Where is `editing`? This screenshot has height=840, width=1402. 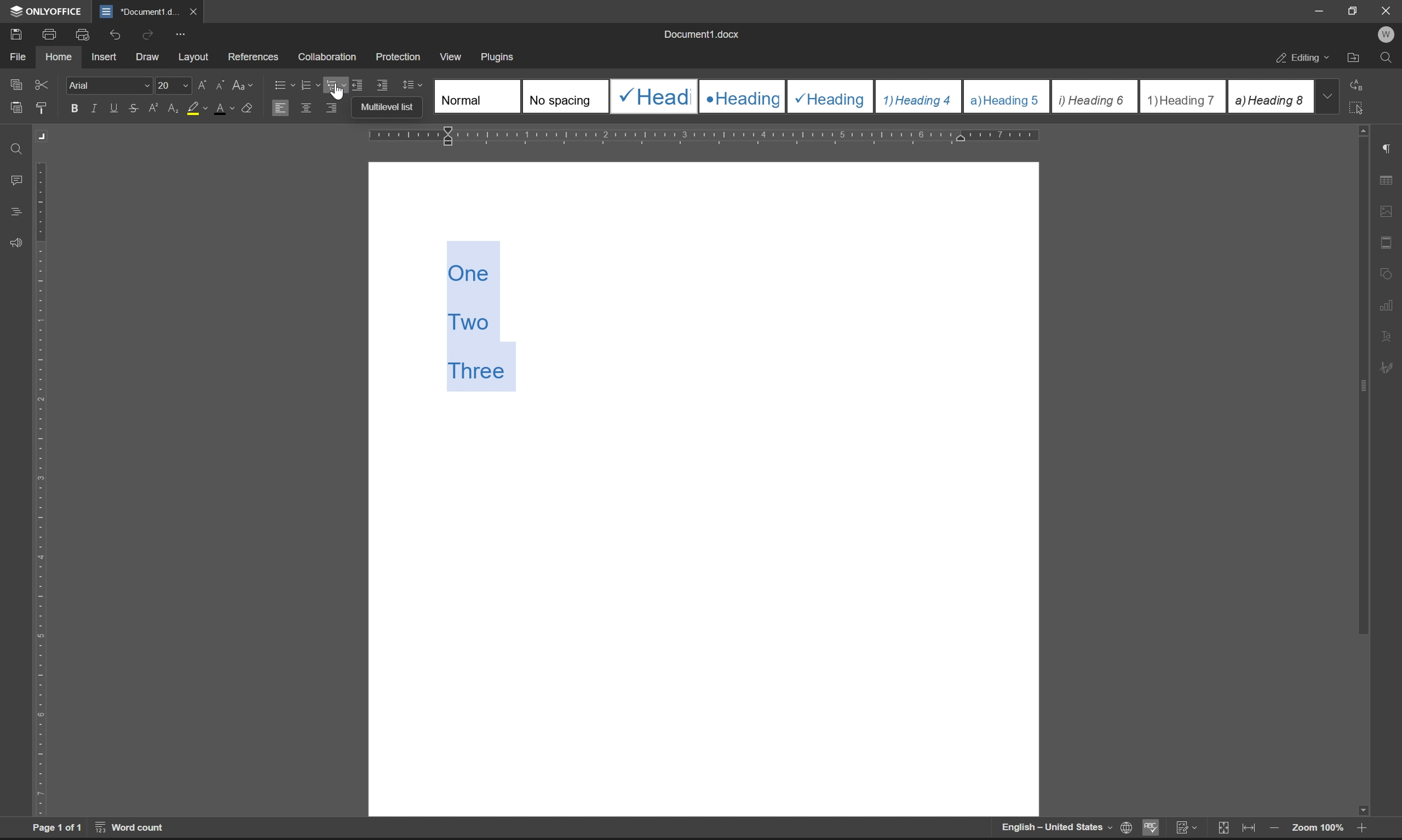 editing is located at coordinates (1304, 59).